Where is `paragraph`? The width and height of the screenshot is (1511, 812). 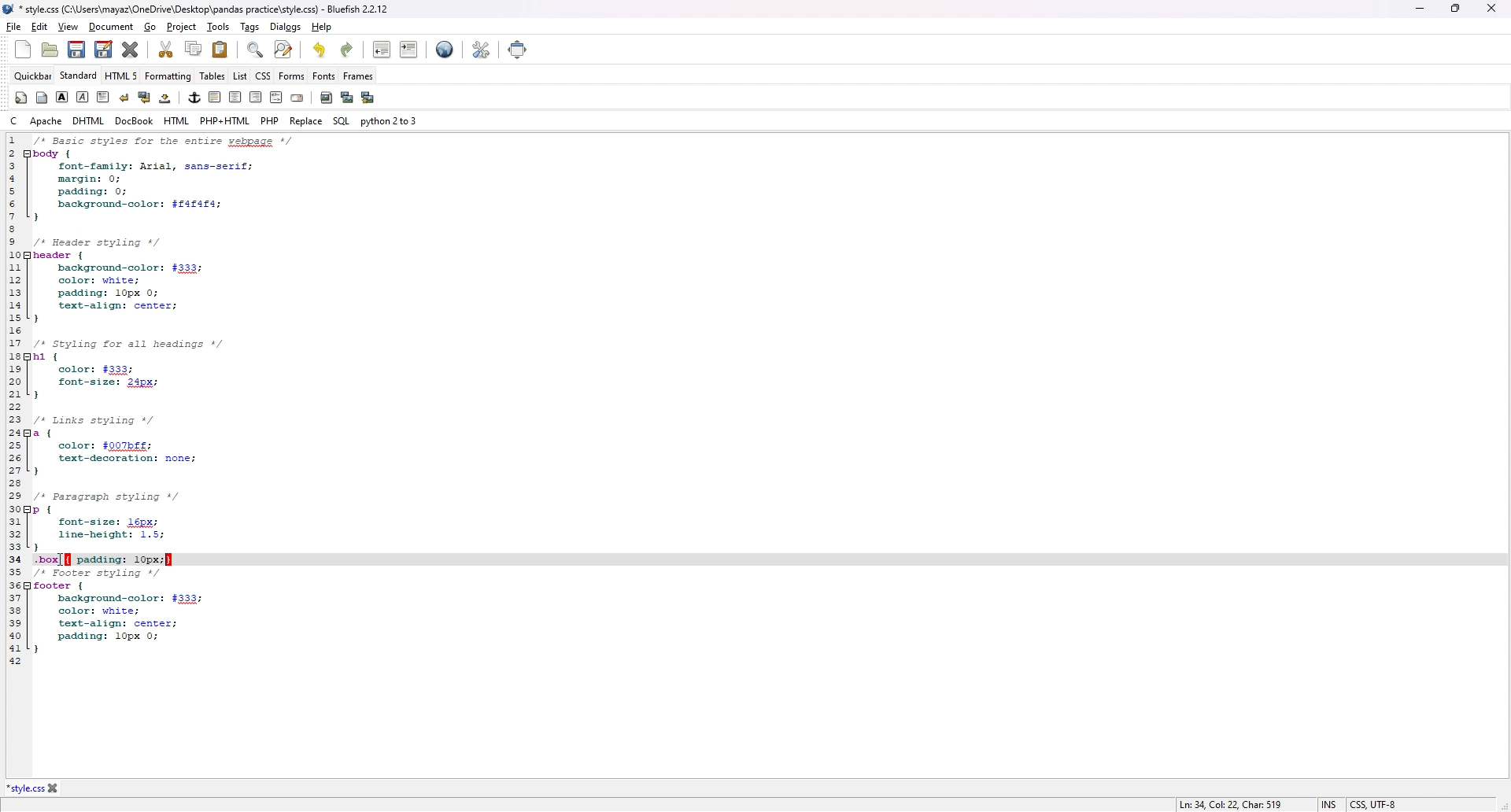
paragraph is located at coordinates (104, 98).